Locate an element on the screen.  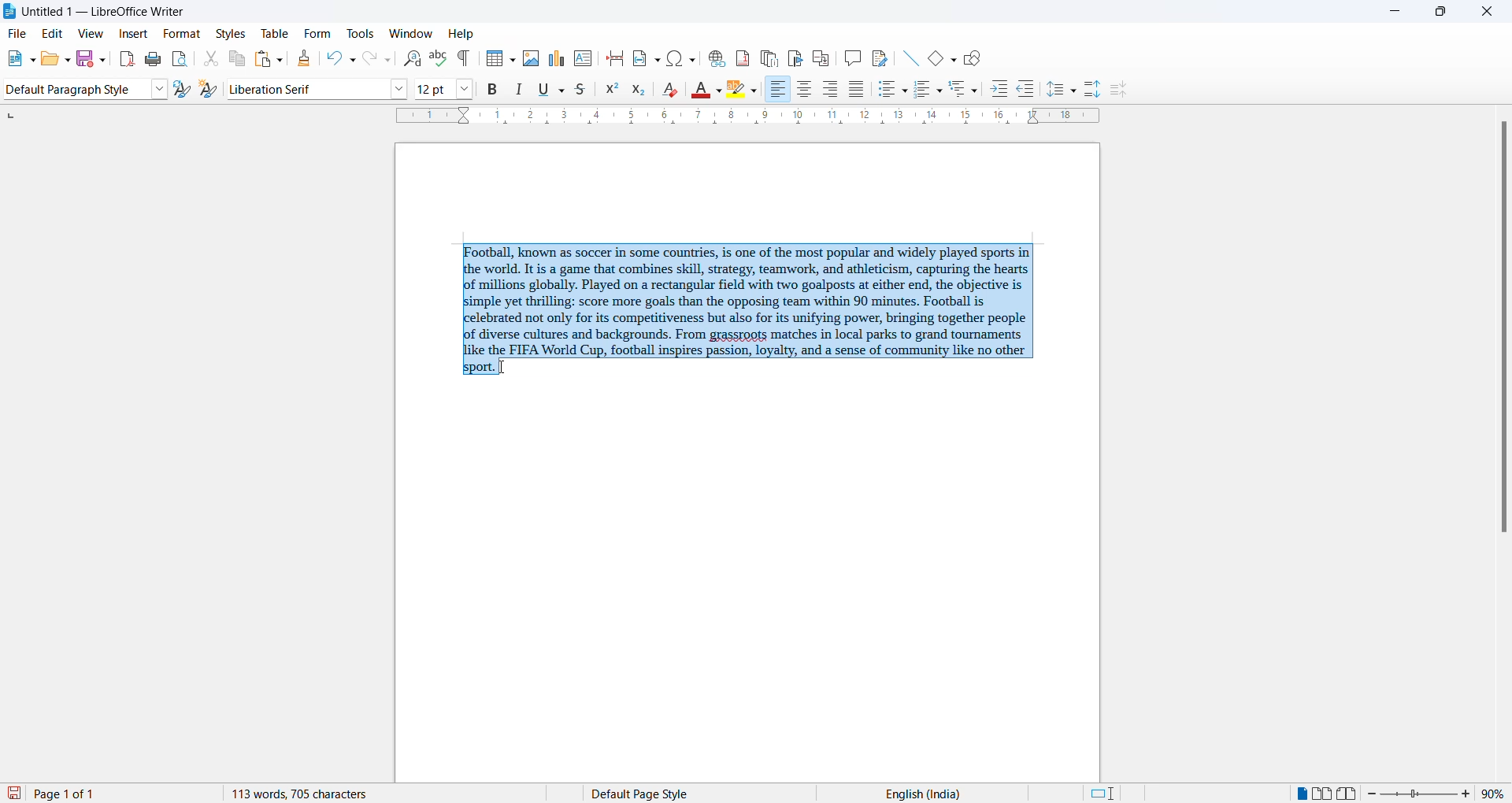
toggle unordered list options is located at coordinates (903, 92).